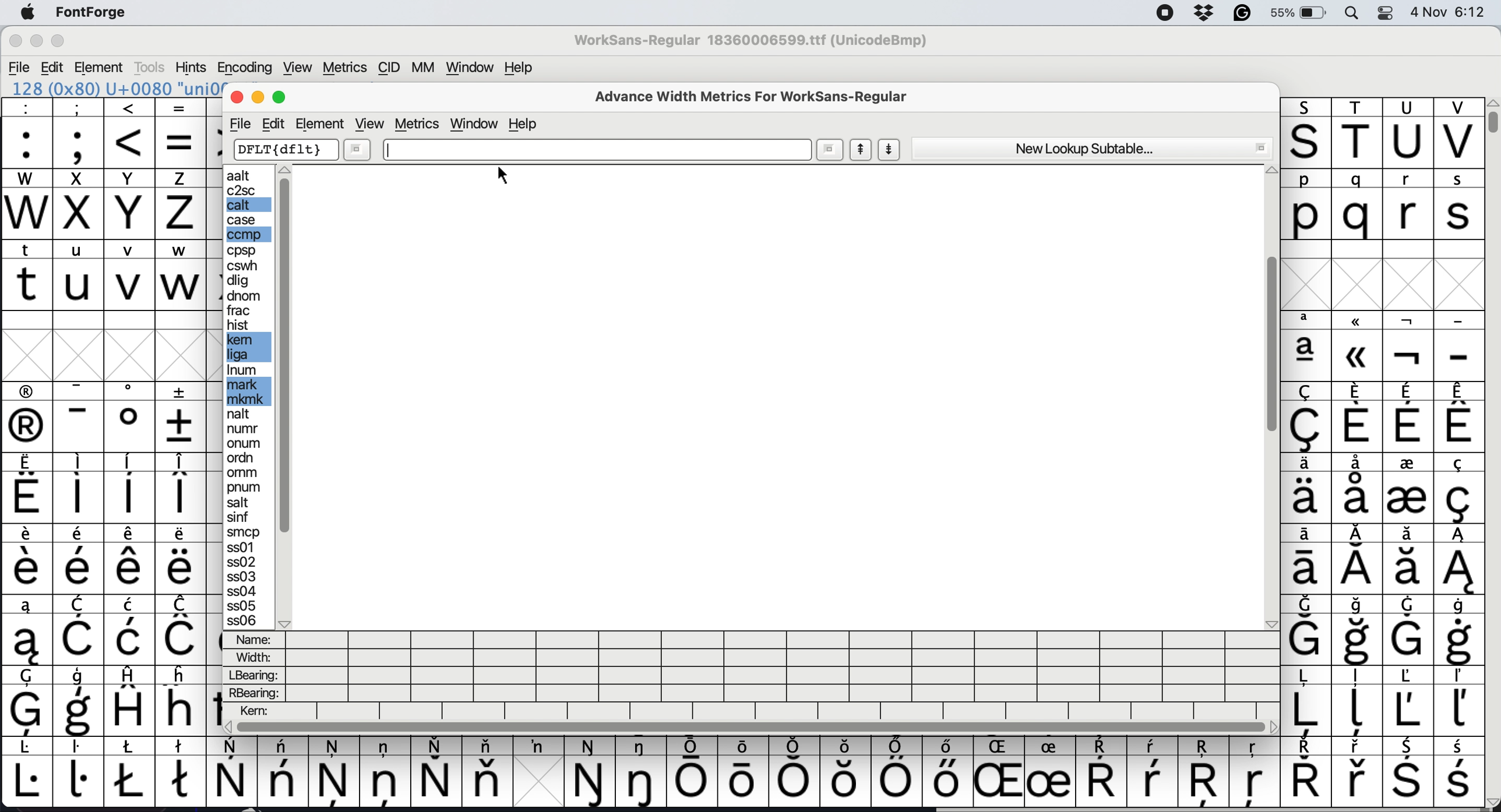  I want to click on View, so click(297, 67).